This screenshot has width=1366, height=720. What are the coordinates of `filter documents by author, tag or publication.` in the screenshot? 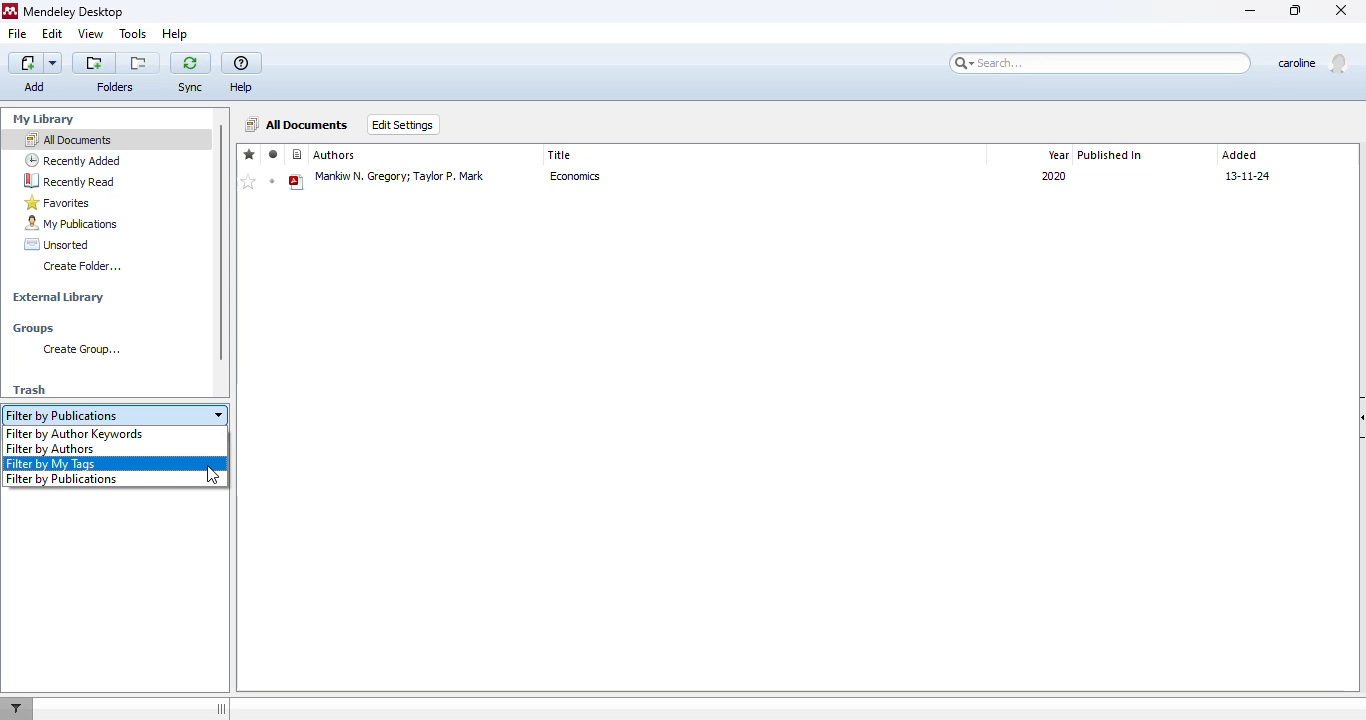 It's located at (19, 710).